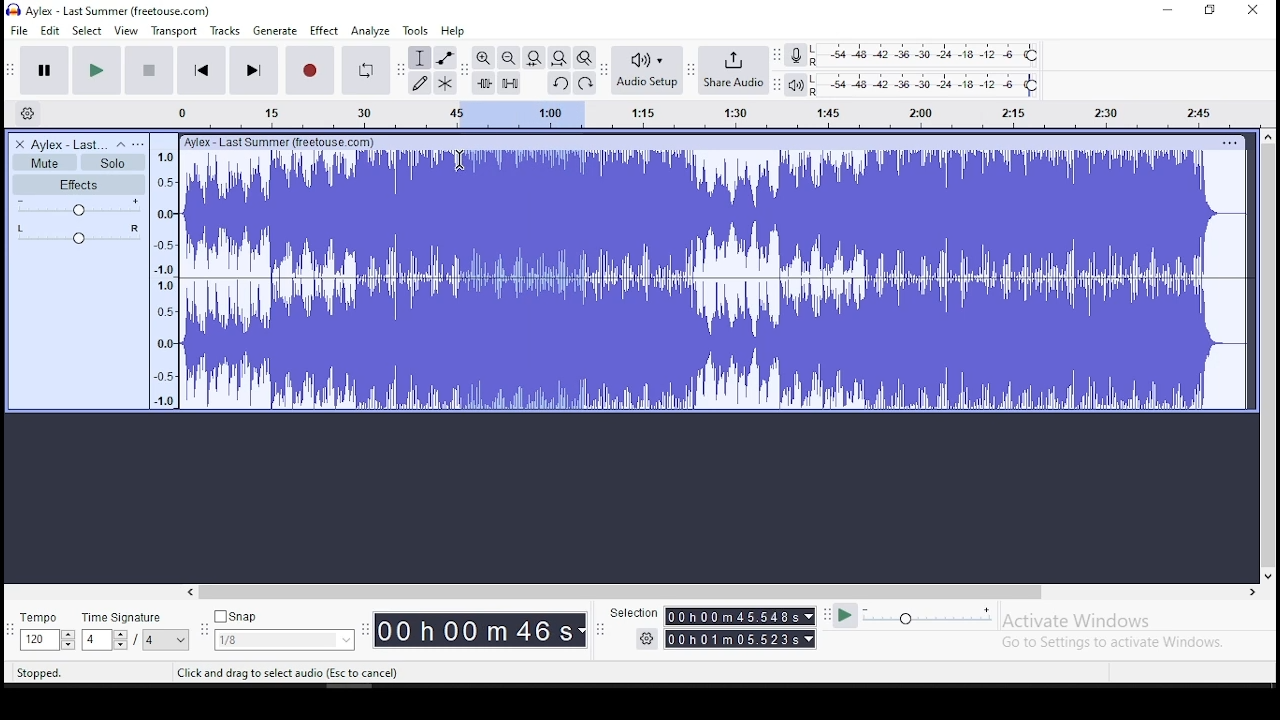 Image resolution: width=1280 pixels, height=720 pixels. Describe the element at coordinates (139, 144) in the screenshot. I see `open menu` at that location.